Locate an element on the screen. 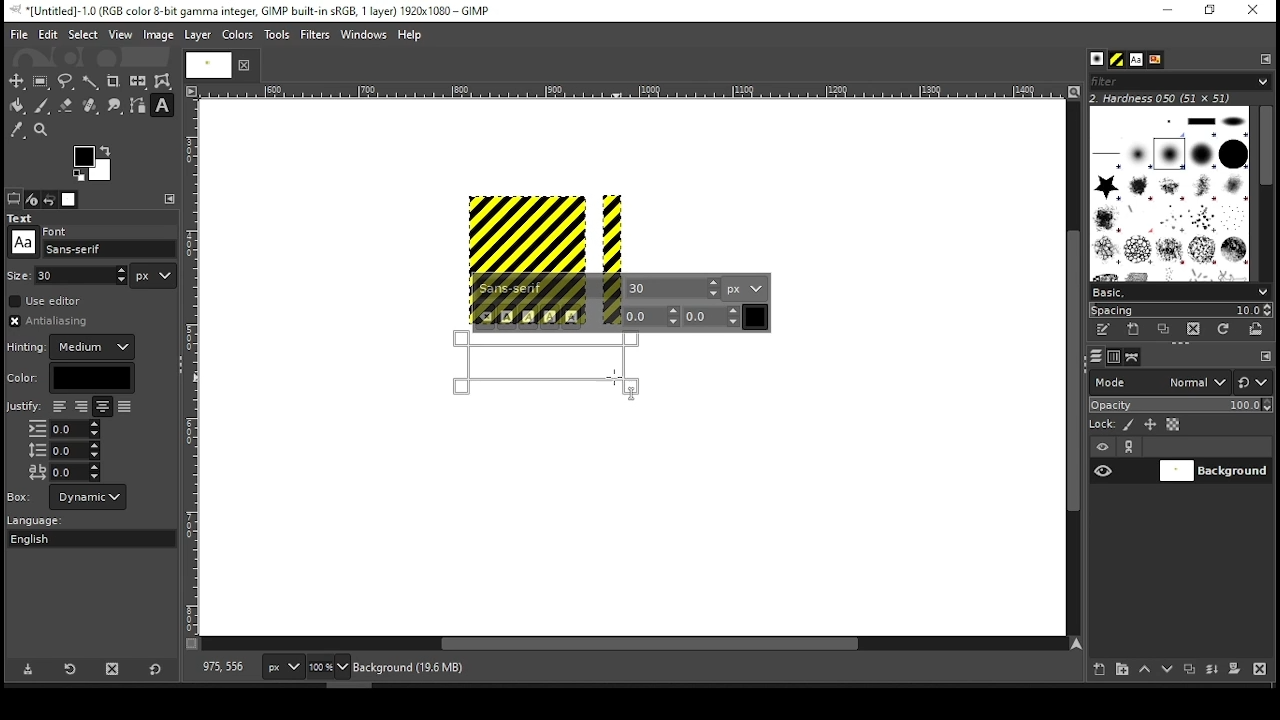  tools is located at coordinates (279, 36).